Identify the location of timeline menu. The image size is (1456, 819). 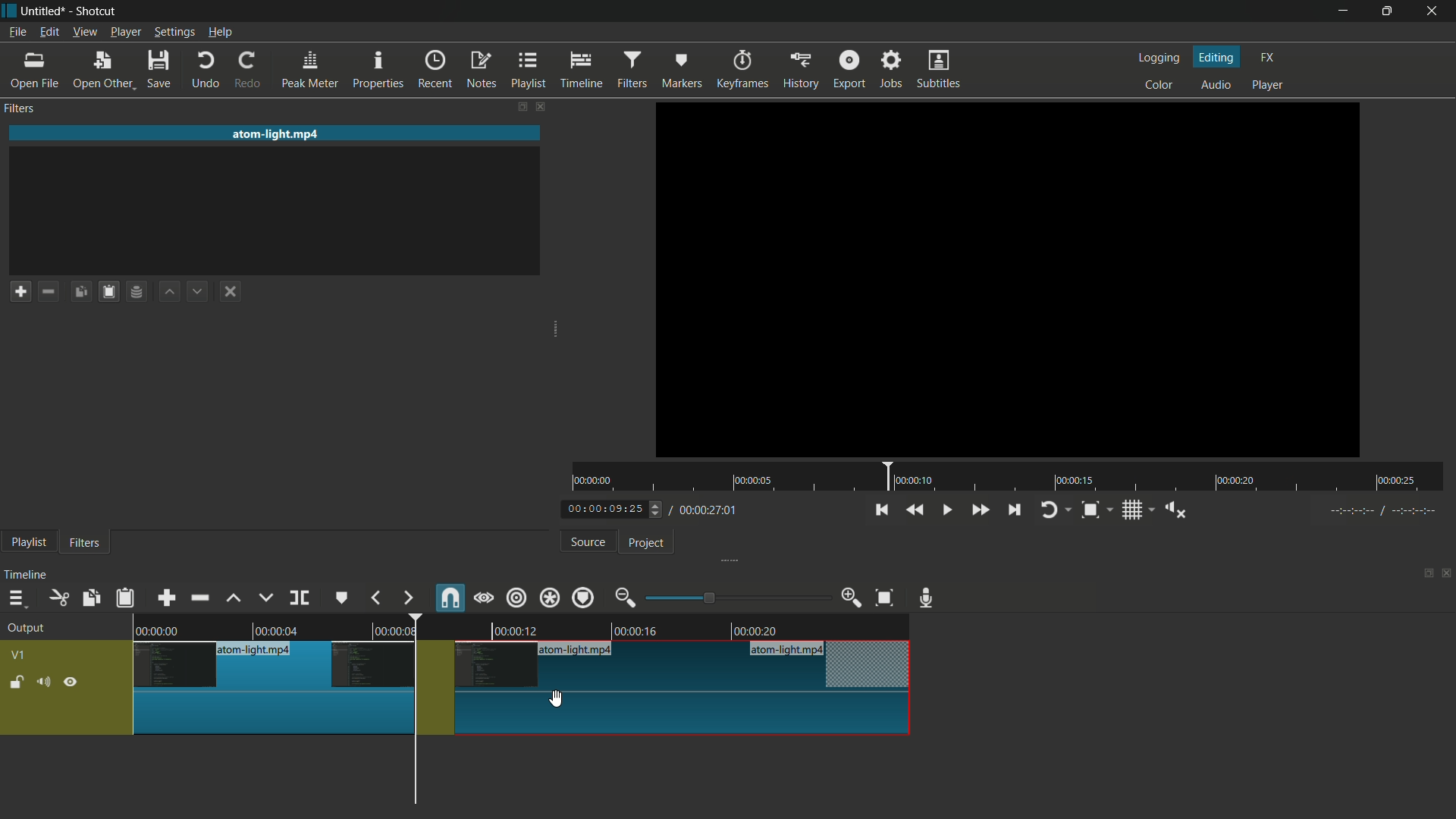
(16, 598).